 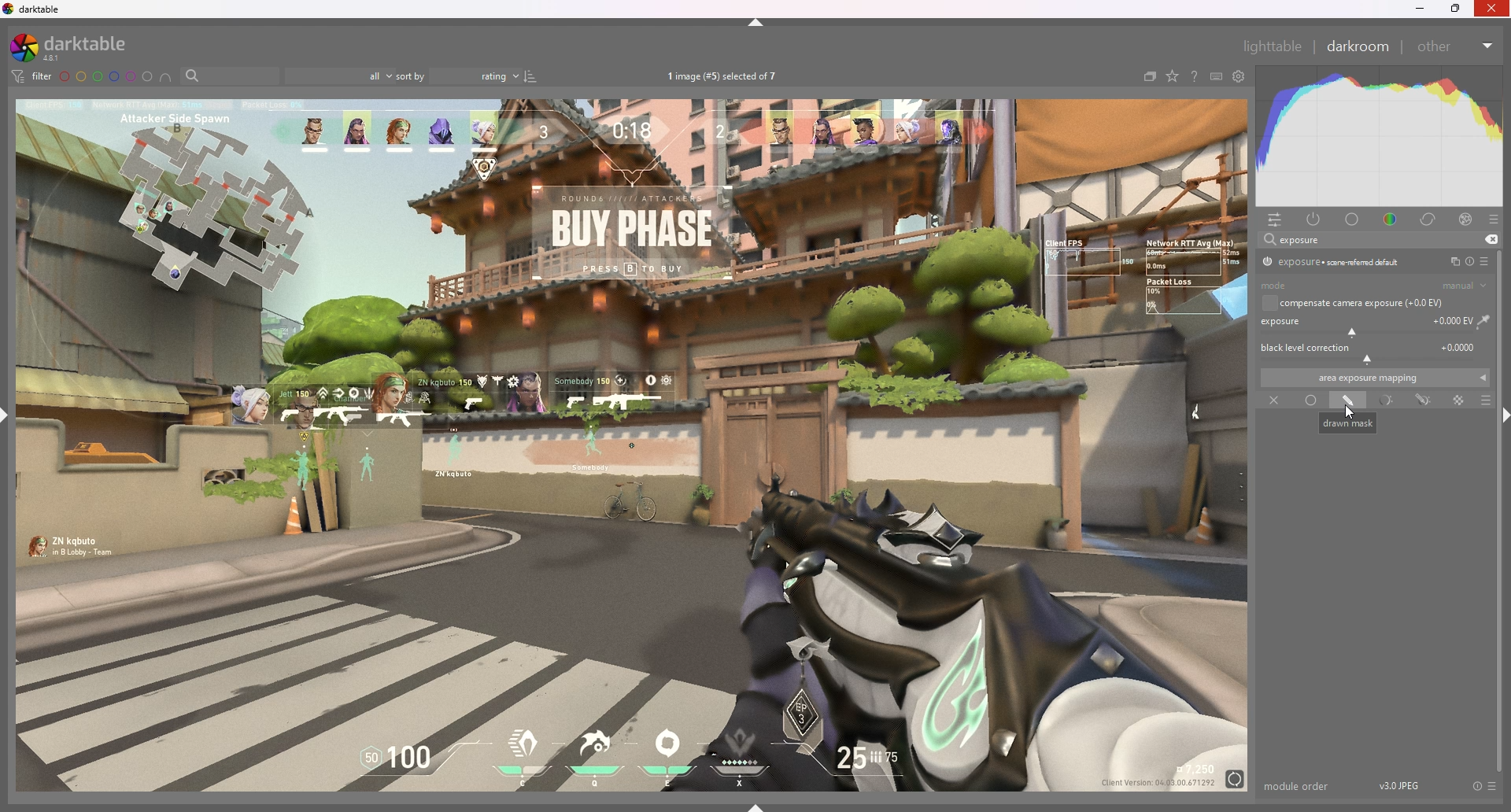 What do you see at coordinates (634, 445) in the screenshot?
I see `image` at bounding box center [634, 445].